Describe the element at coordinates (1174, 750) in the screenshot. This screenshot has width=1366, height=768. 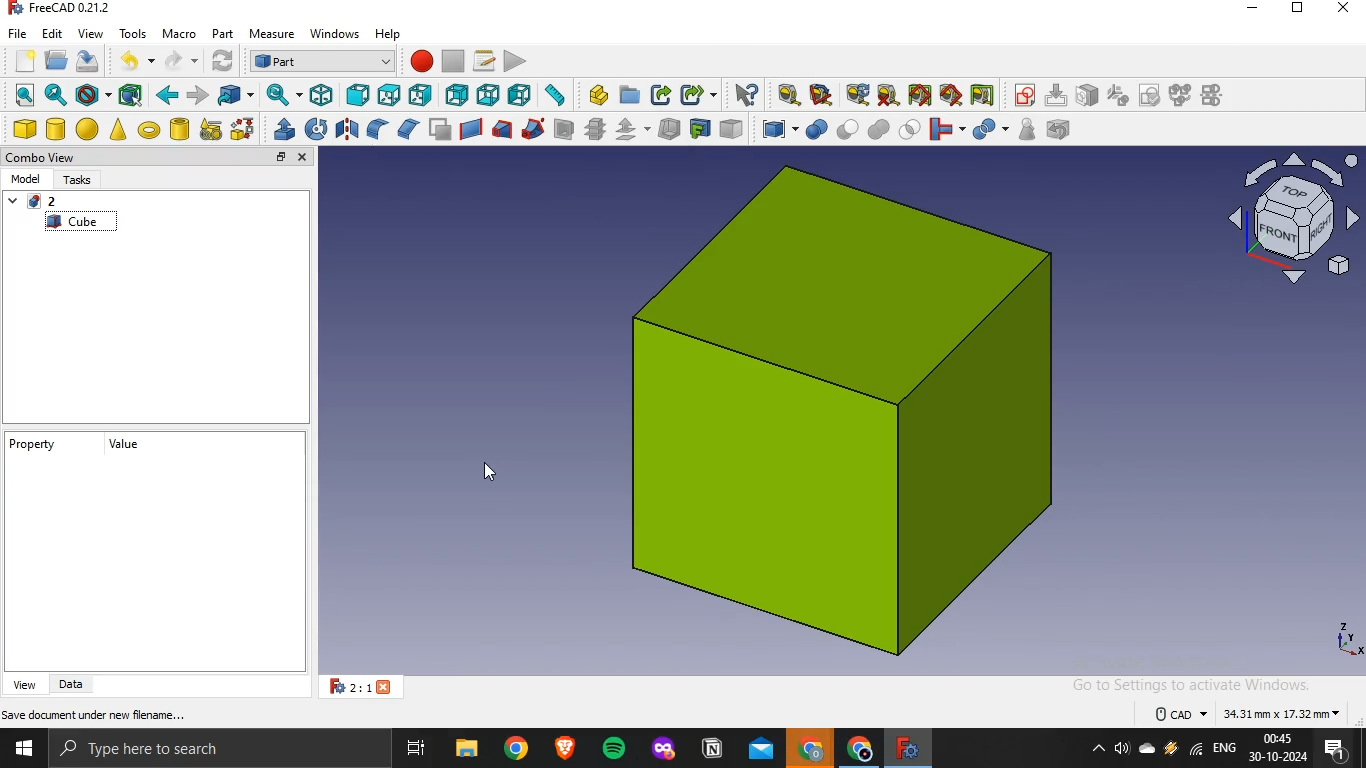
I see `winamp agent` at that location.